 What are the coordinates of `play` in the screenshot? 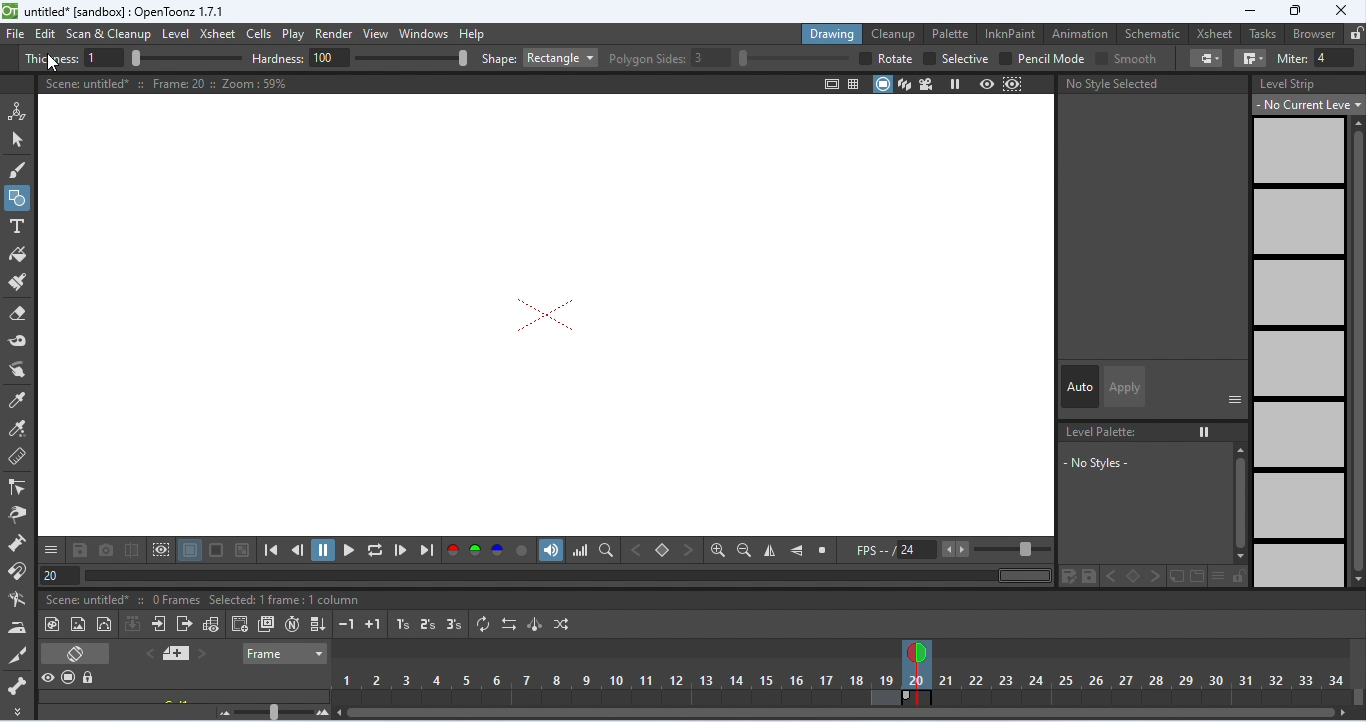 It's located at (292, 35).